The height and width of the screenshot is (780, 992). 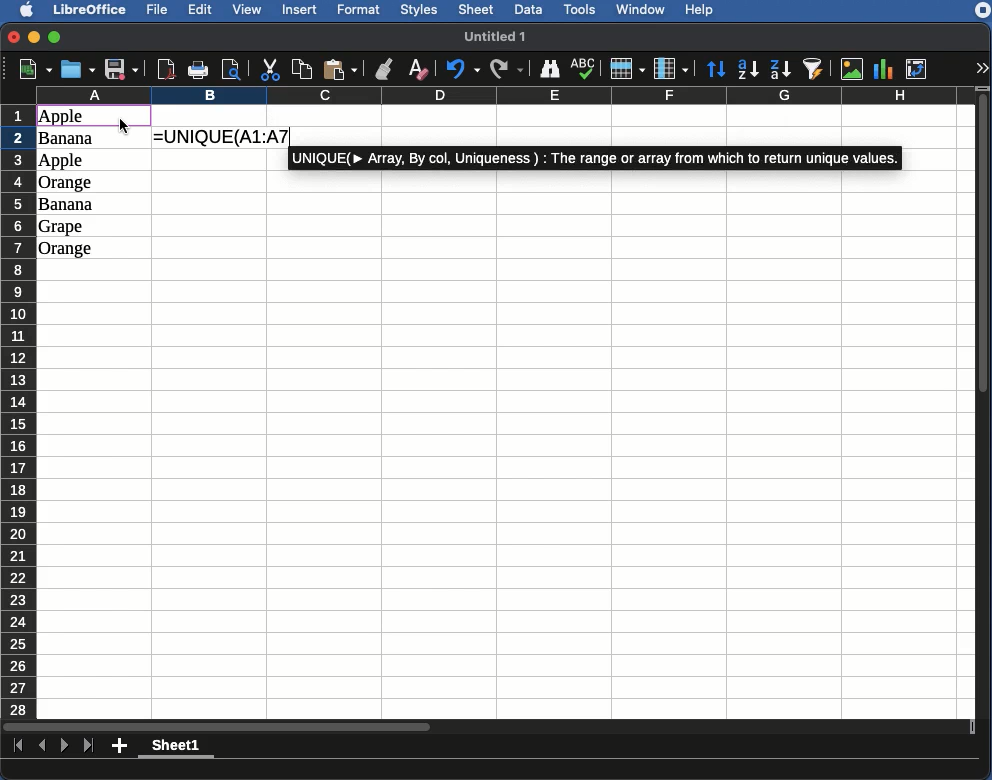 I want to click on Clear formatting, so click(x=420, y=68).